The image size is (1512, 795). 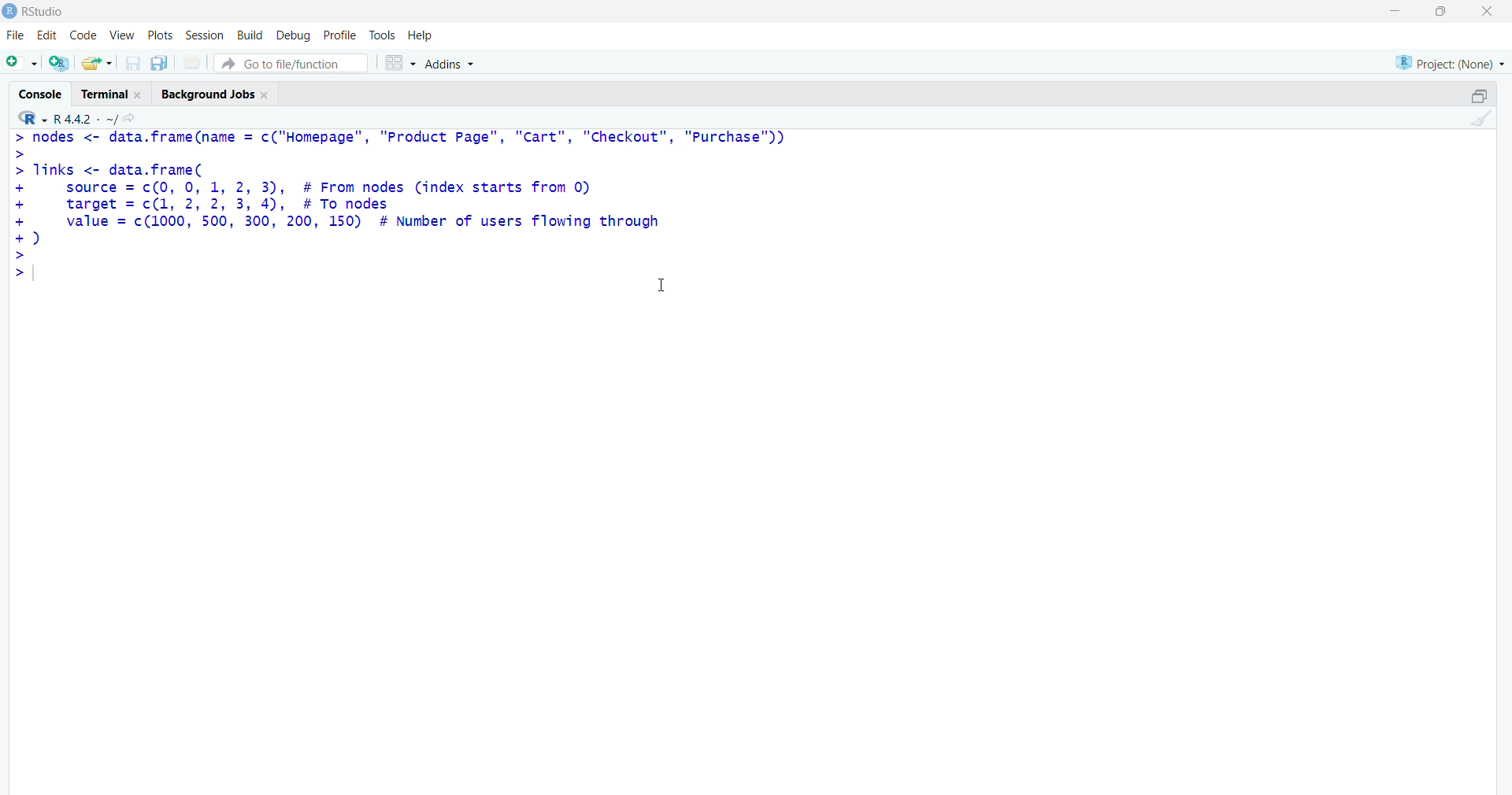 What do you see at coordinates (156, 33) in the screenshot?
I see `plots` at bounding box center [156, 33].